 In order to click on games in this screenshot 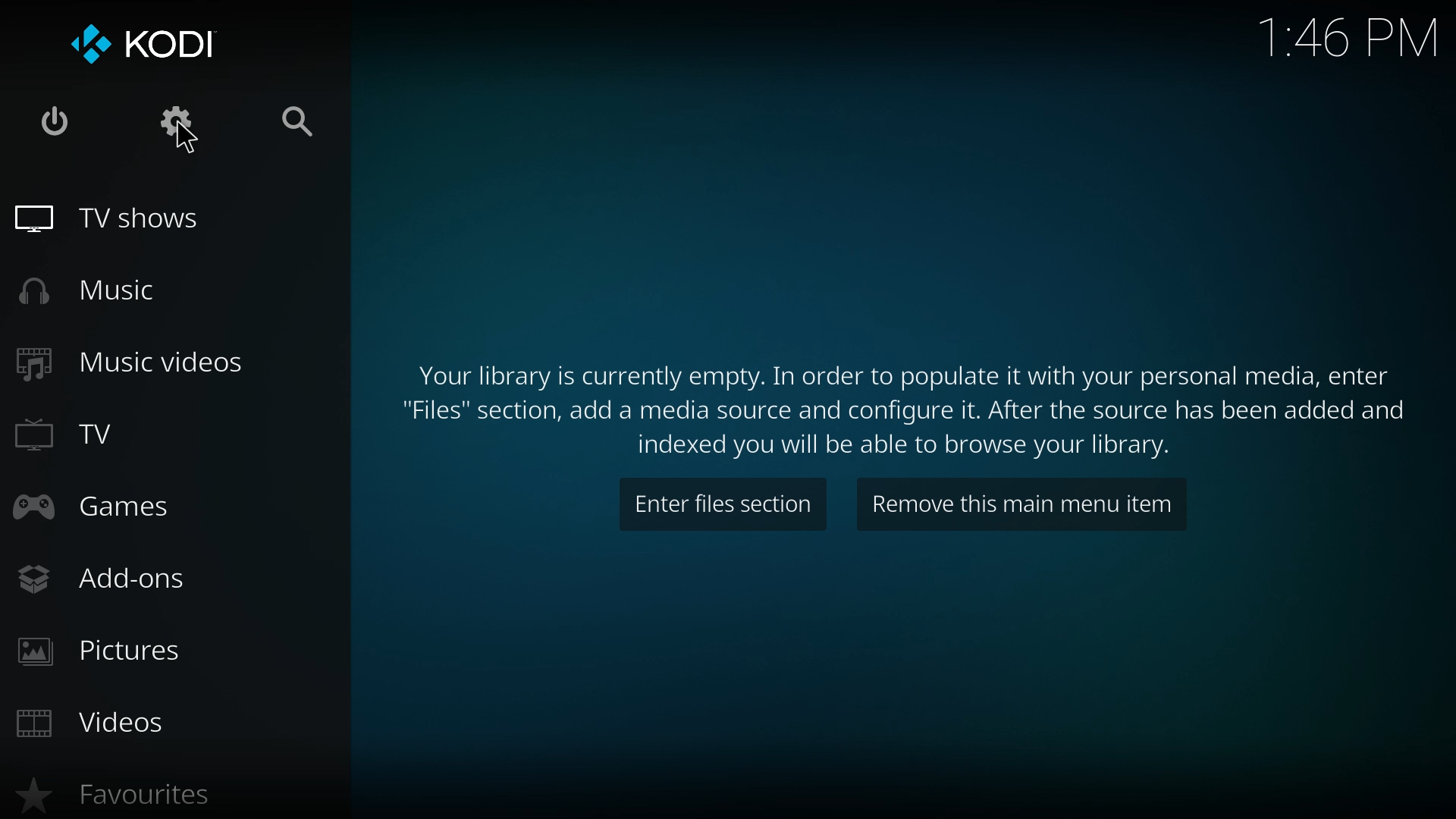, I will do `click(125, 507)`.